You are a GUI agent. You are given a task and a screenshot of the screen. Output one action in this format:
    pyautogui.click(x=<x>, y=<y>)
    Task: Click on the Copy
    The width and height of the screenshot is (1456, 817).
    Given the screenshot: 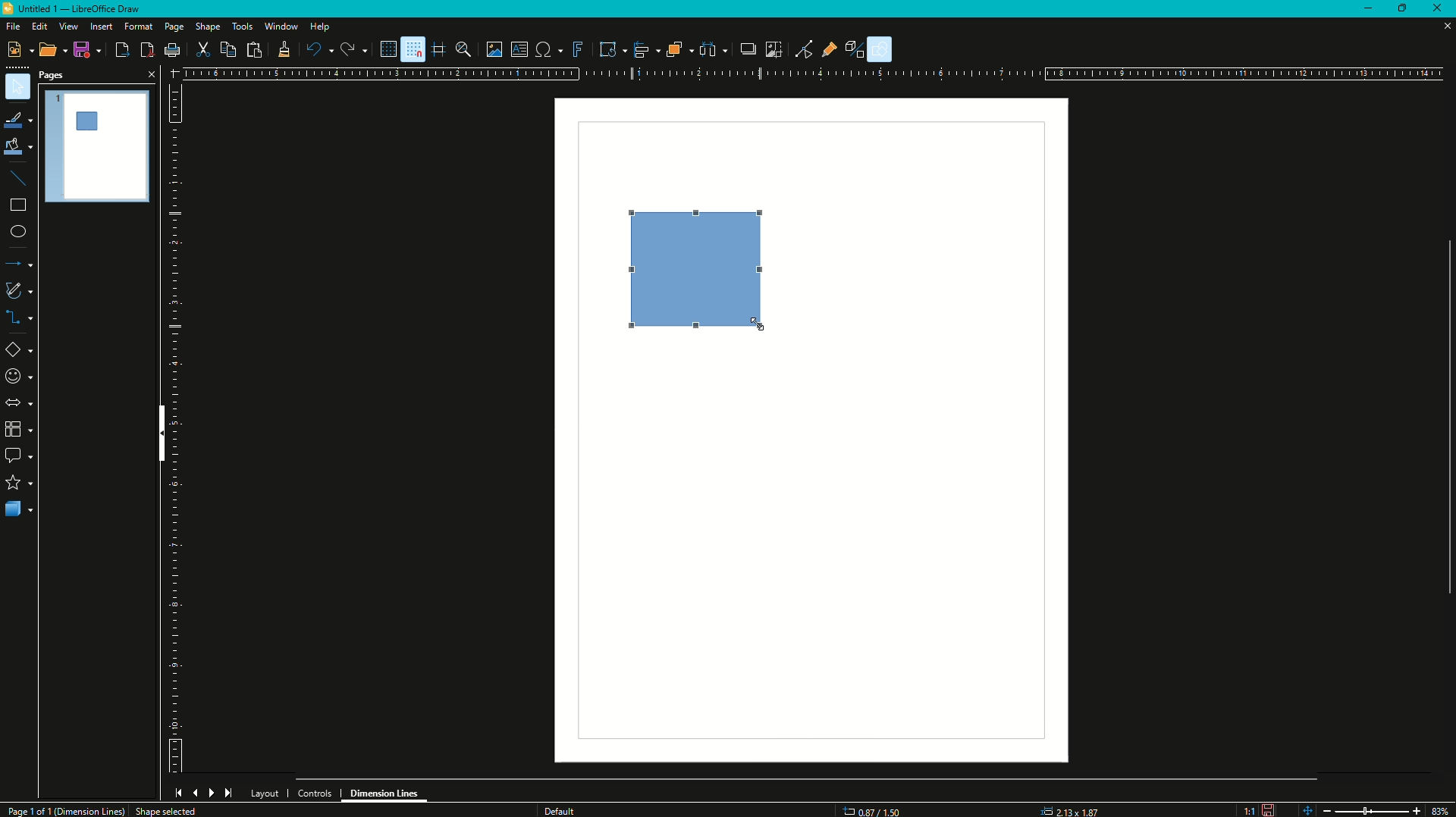 What is the action you would take?
    pyautogui.click(x=226, y=50)
    